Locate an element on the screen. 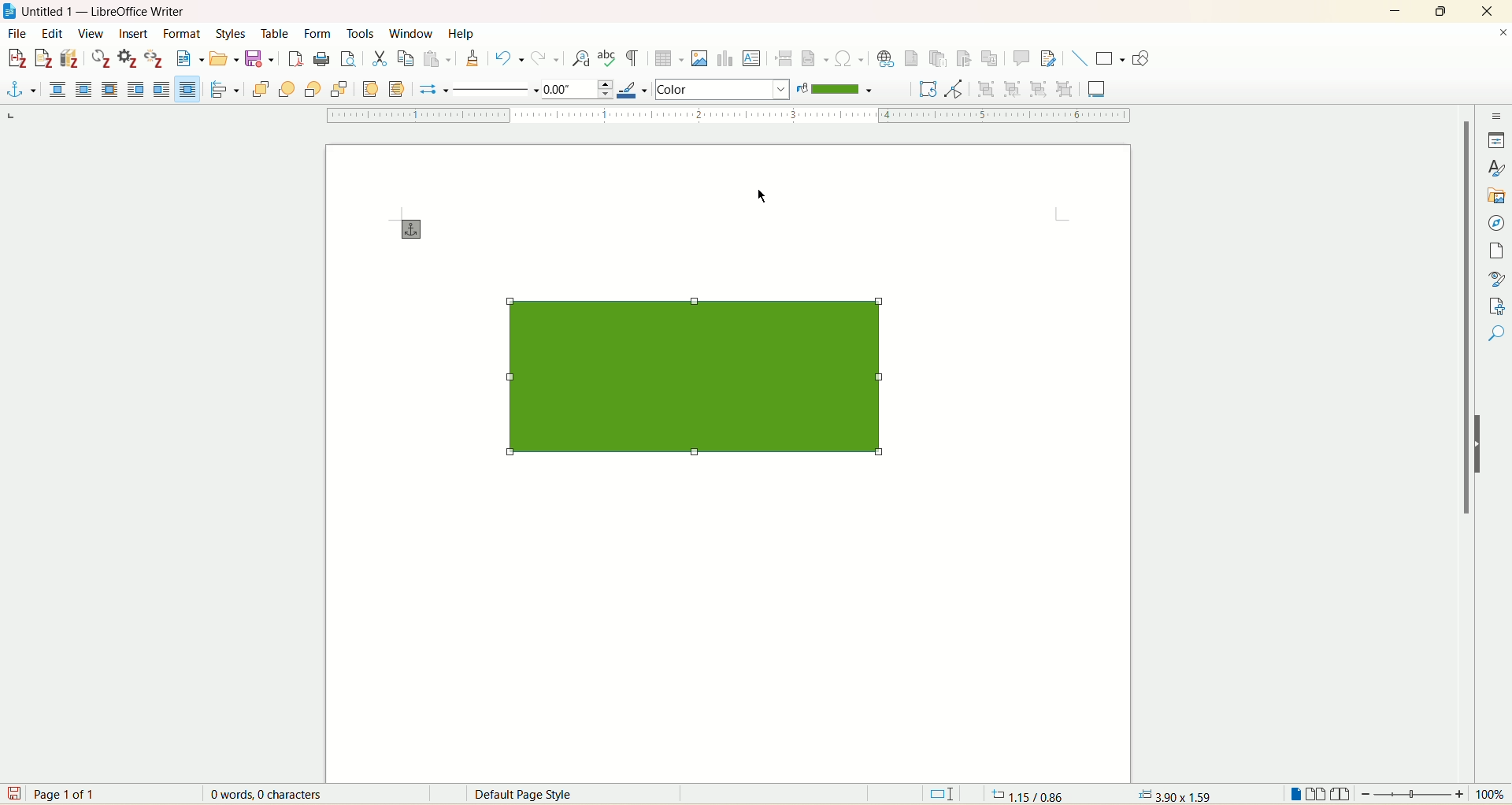 This screenshot has width=1512, height=805. insert bookmark is located at coordinates (969, 59).